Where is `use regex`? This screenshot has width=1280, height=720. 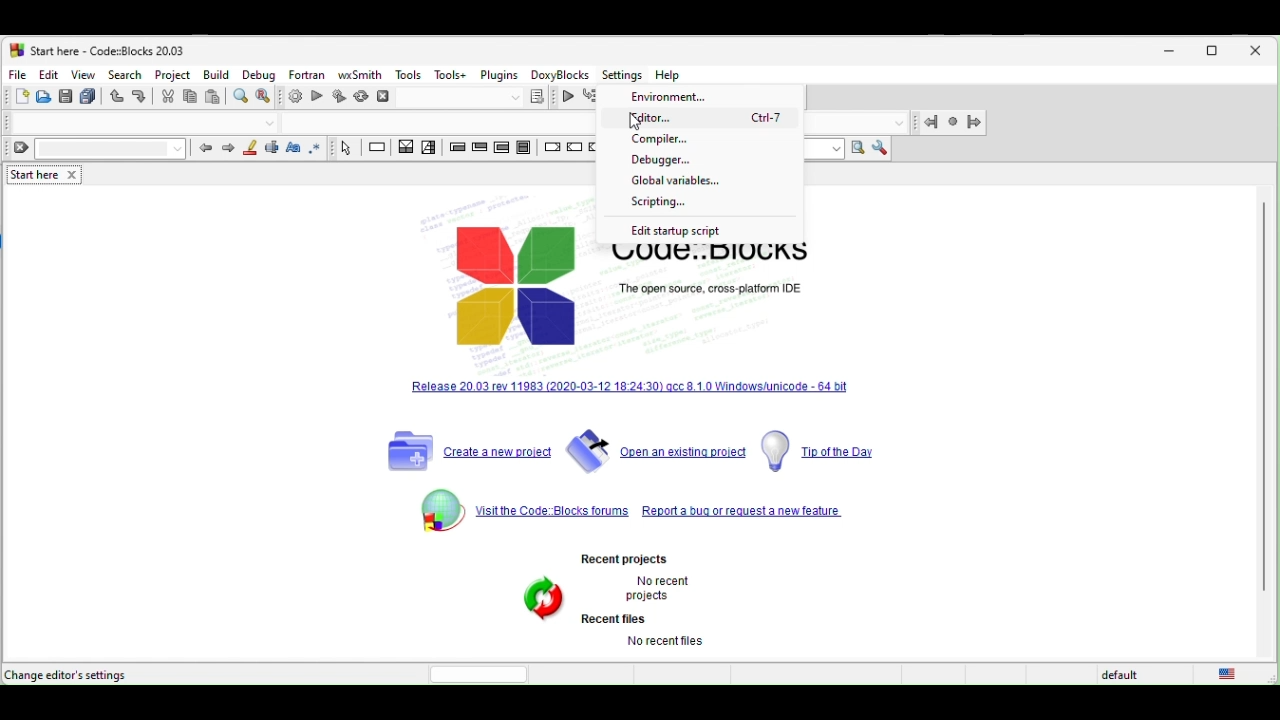 use regex is located at coordinates (322, 148).